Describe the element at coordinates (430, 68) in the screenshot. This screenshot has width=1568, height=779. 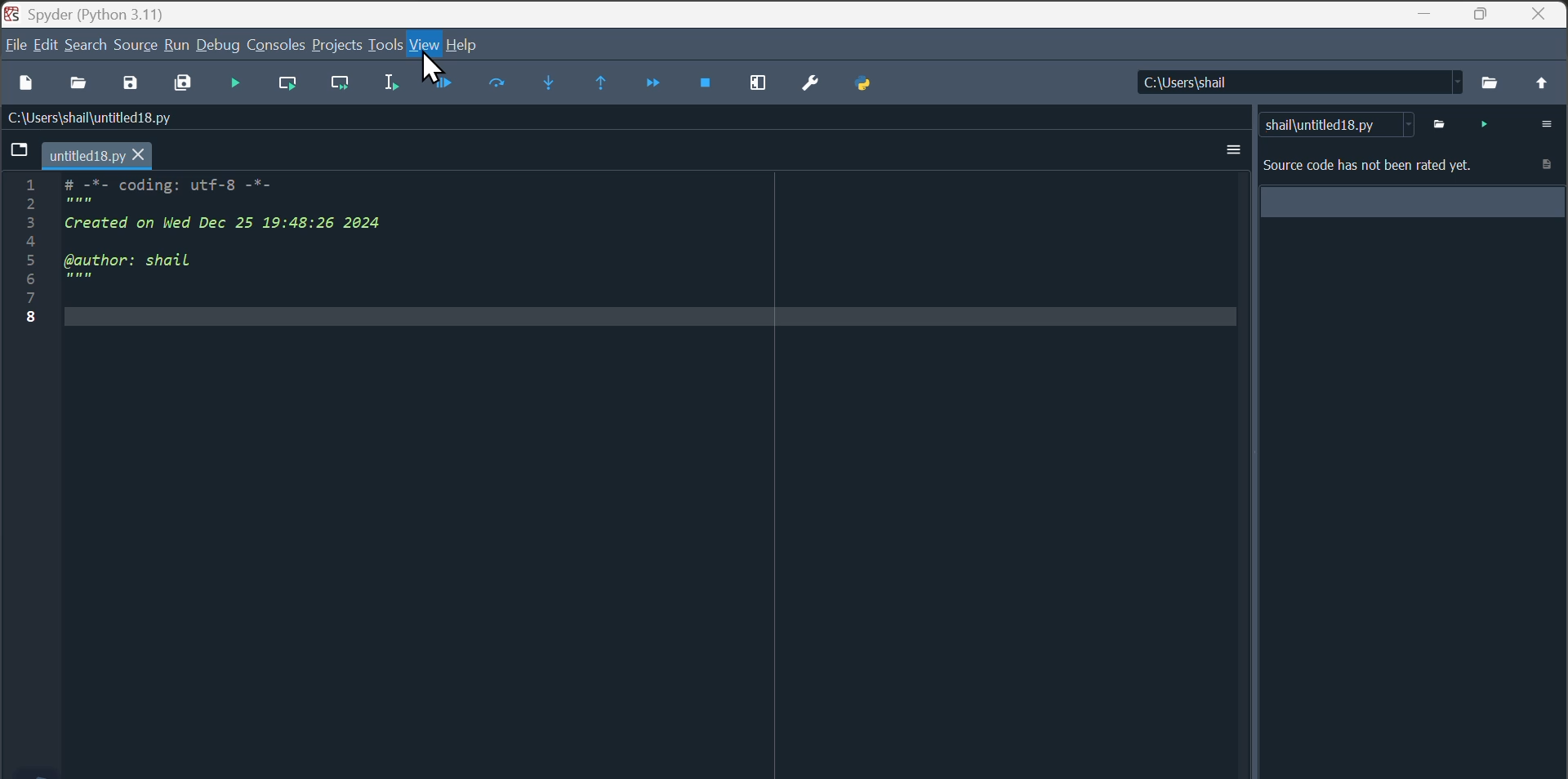
I see `cursor` at that location.